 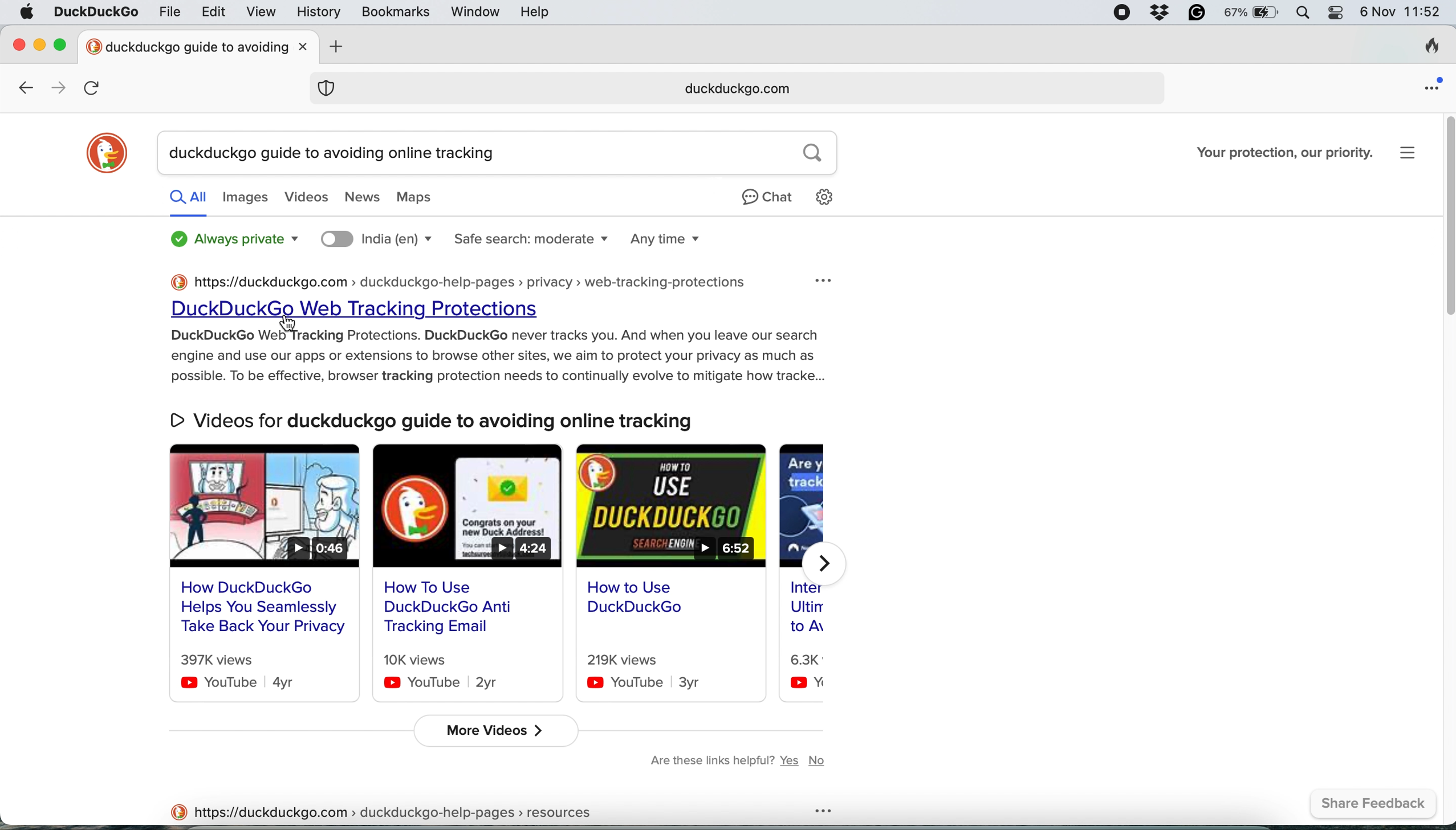 I want to click on new tab, so click(x=185, y=45).